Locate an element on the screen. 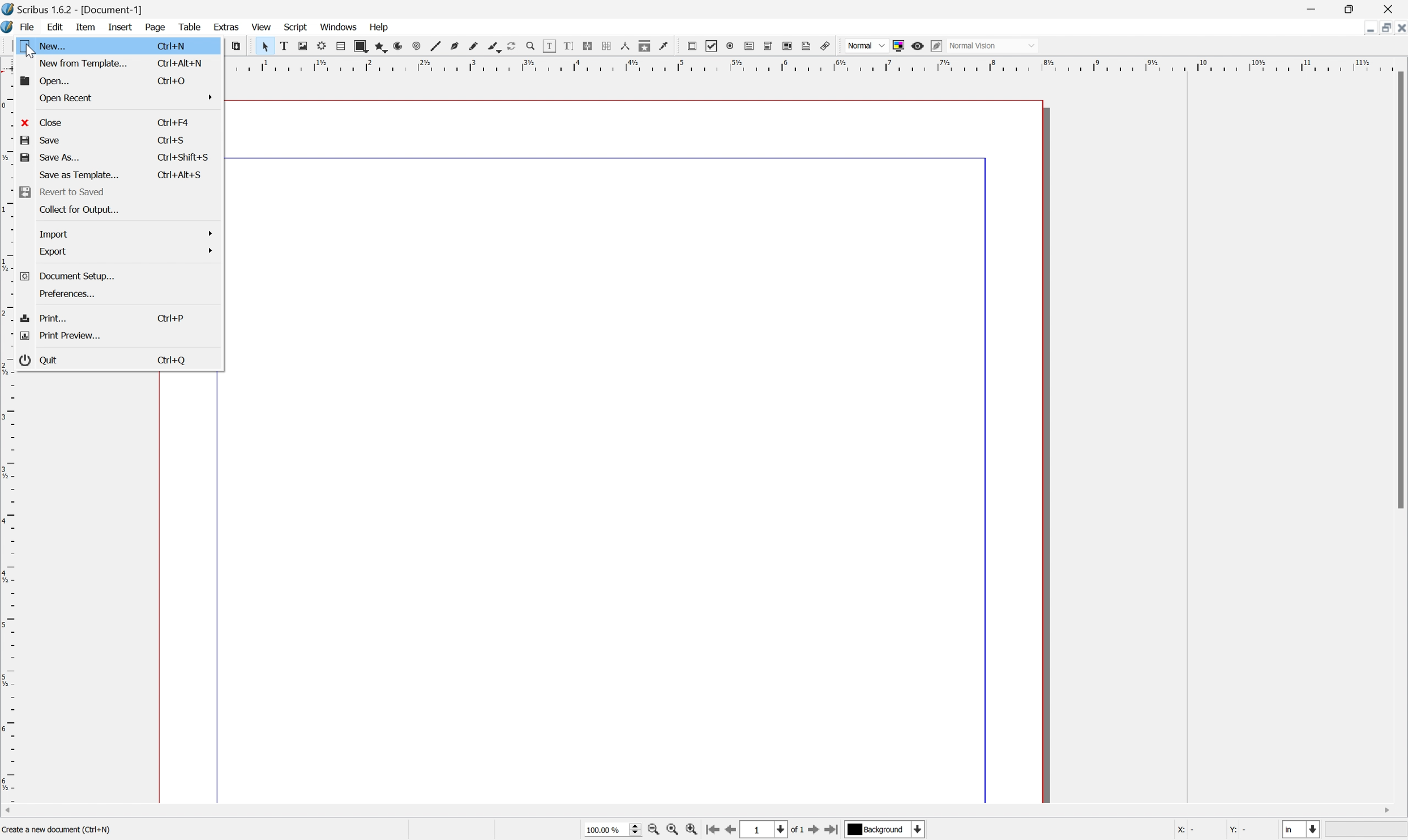  revert to saved is located at coordinates (69, 192).